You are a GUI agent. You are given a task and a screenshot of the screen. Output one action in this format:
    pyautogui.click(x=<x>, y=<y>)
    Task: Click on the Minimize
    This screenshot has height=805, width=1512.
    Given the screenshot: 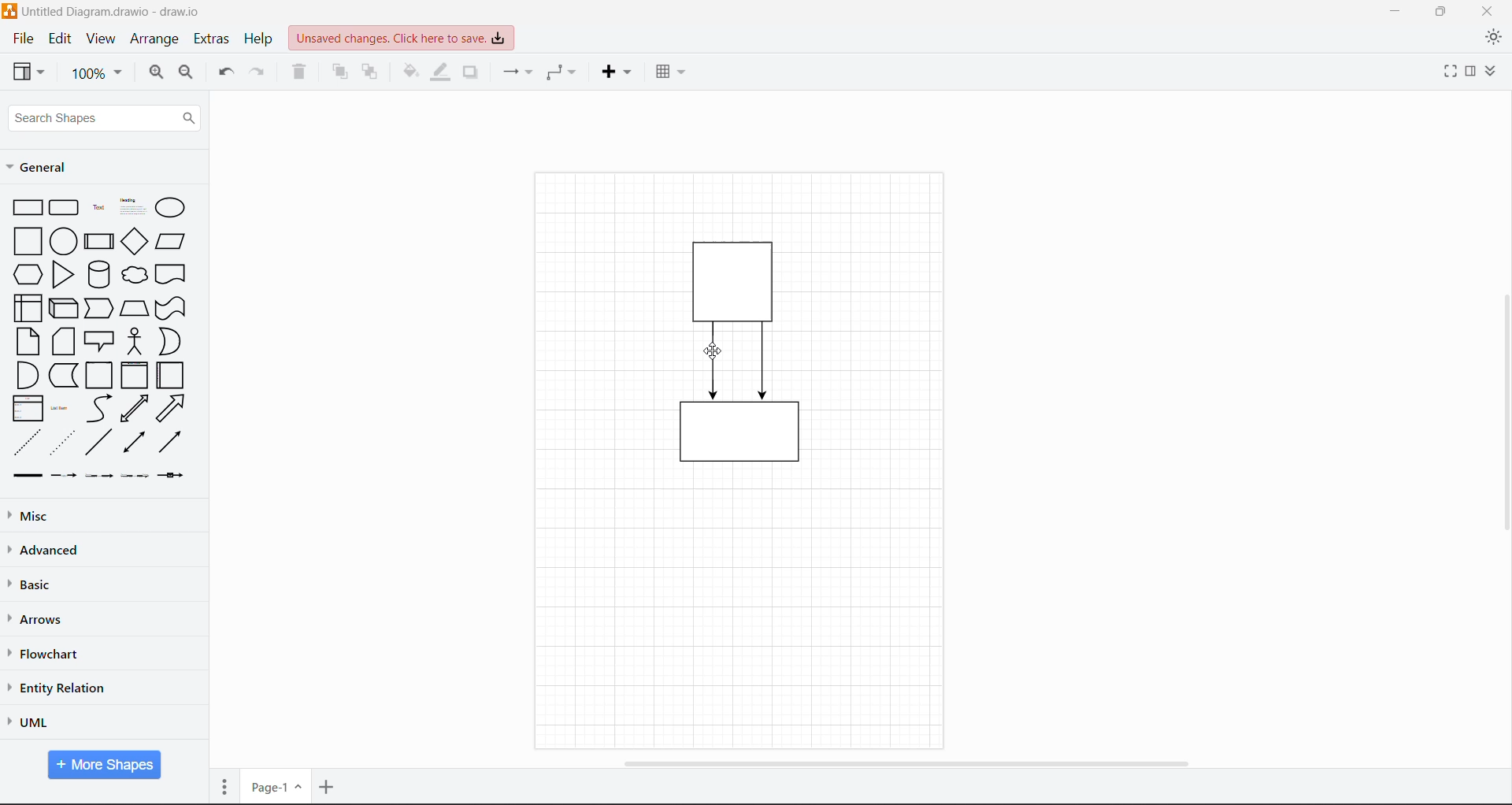 What is the action you would take?
    pyautogui.click(x=1391, y=12)
    